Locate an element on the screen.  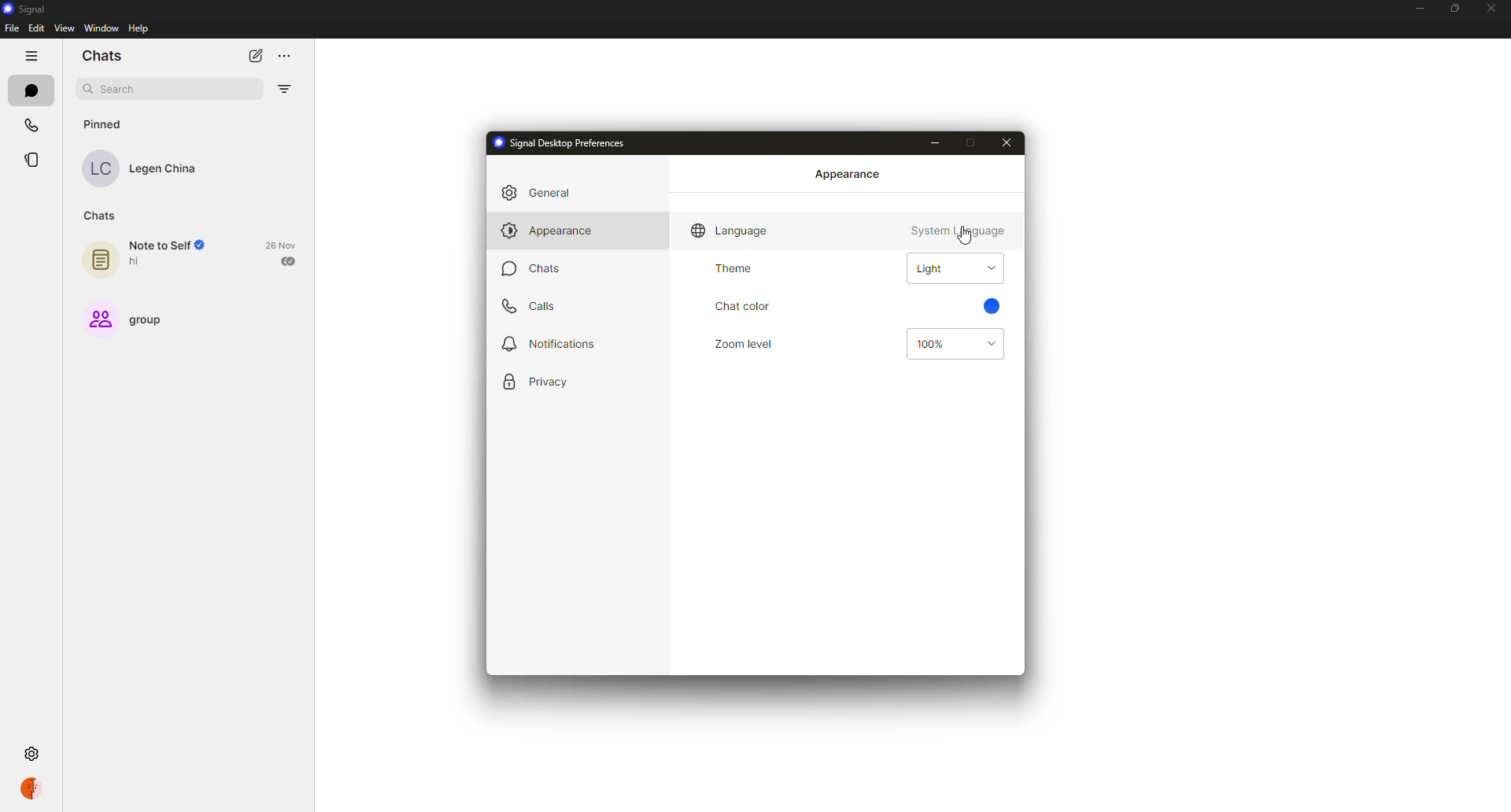
contact is located at coordinates (151, 168).